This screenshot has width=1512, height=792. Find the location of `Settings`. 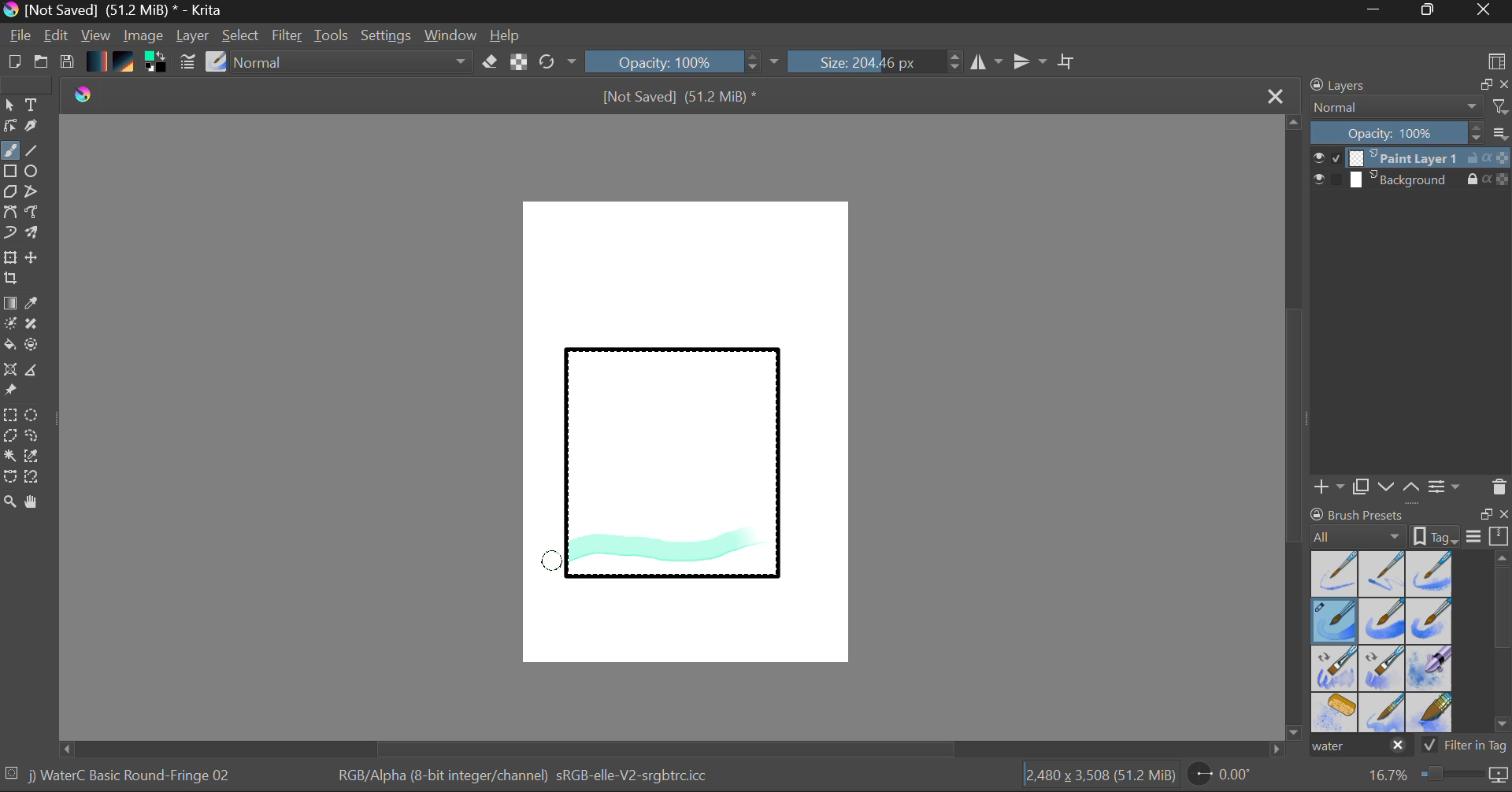

Settings is located at coordinates (387, 35).